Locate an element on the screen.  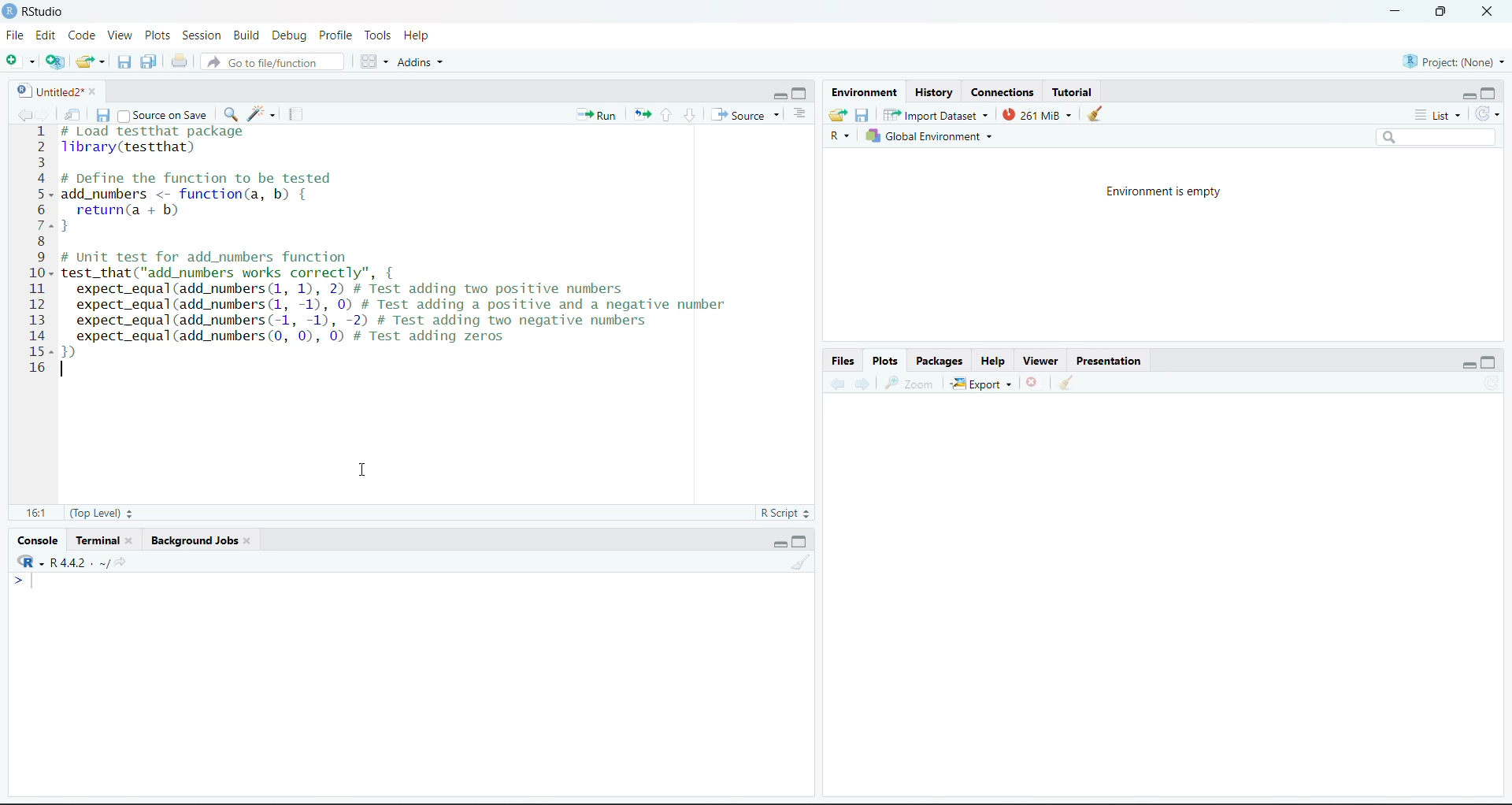
Build is located at coordinates (245, 35).